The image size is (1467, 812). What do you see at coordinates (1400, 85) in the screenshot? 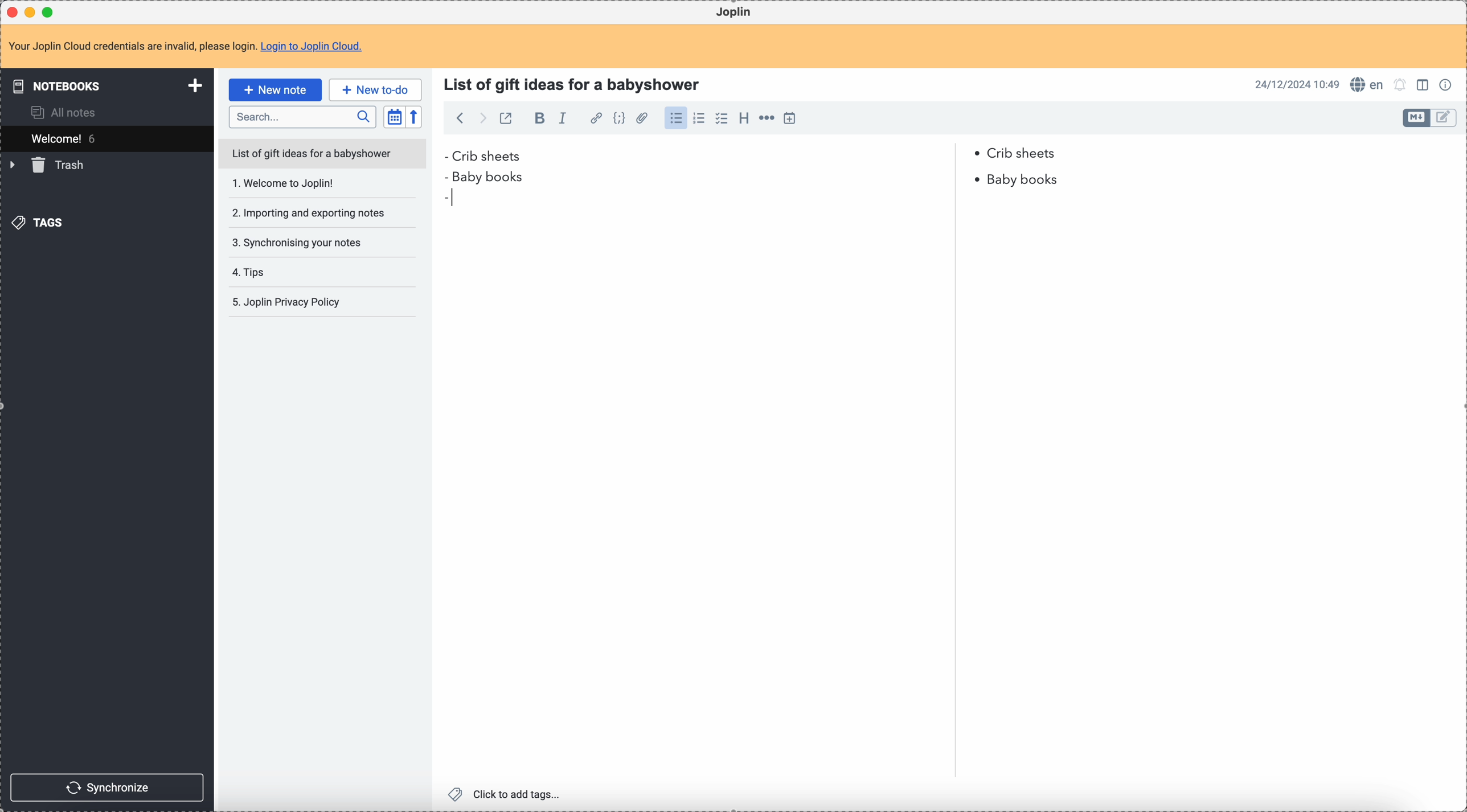
I see `set alarm` at bounding box center [1400, 85].